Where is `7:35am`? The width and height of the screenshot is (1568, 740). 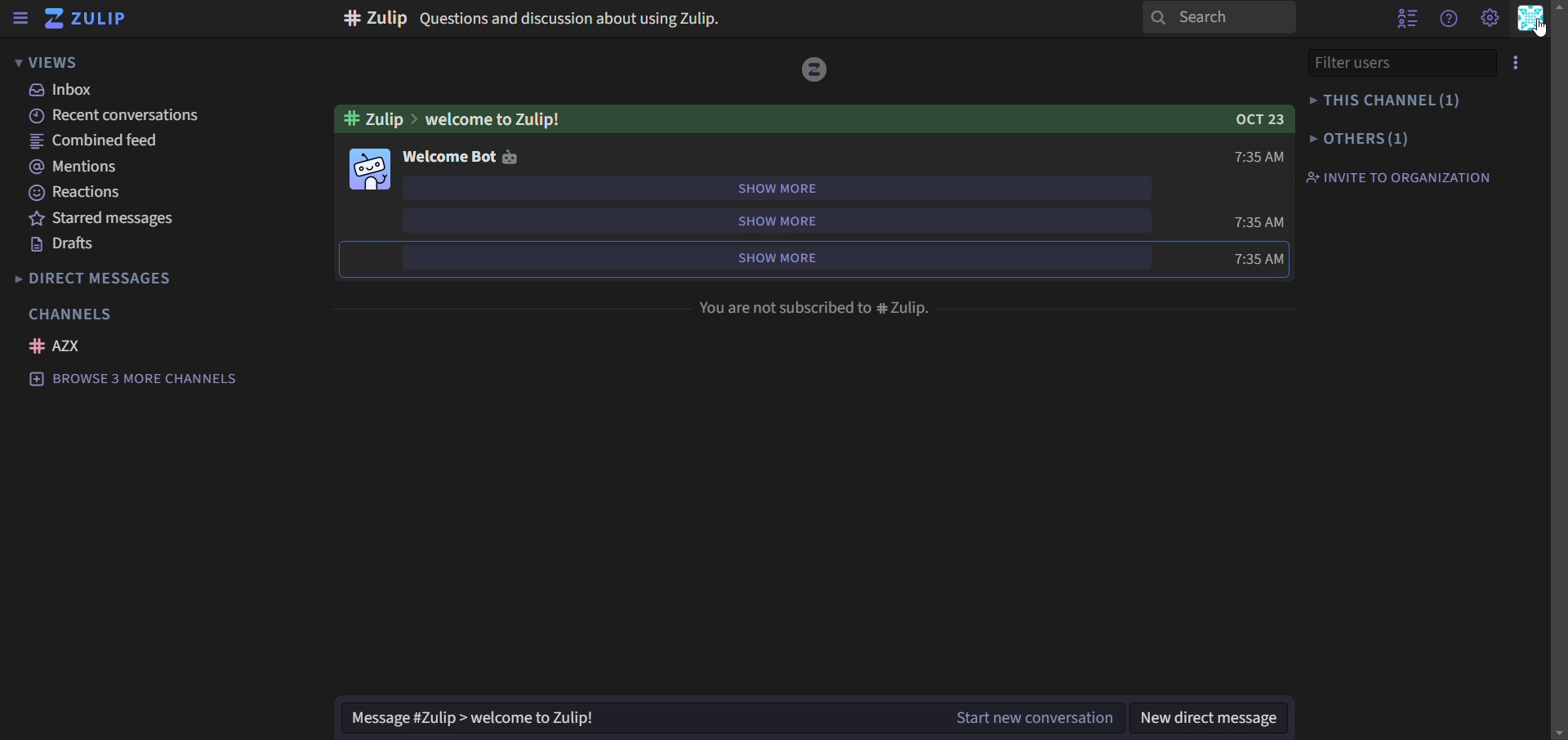
7:35am is located at coordinates (1241, 156).